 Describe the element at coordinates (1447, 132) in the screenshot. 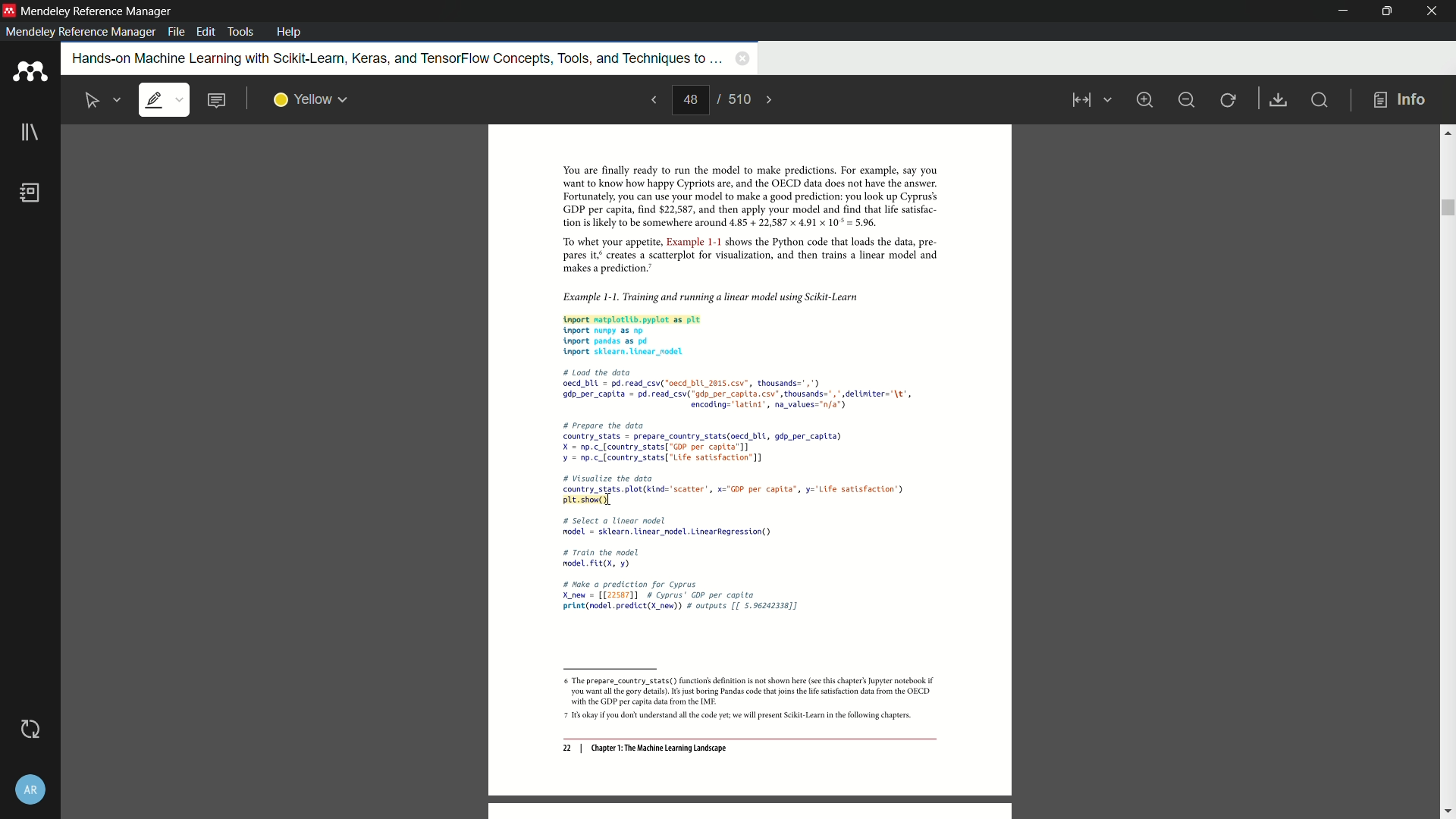

I see `scroll up` at that location.